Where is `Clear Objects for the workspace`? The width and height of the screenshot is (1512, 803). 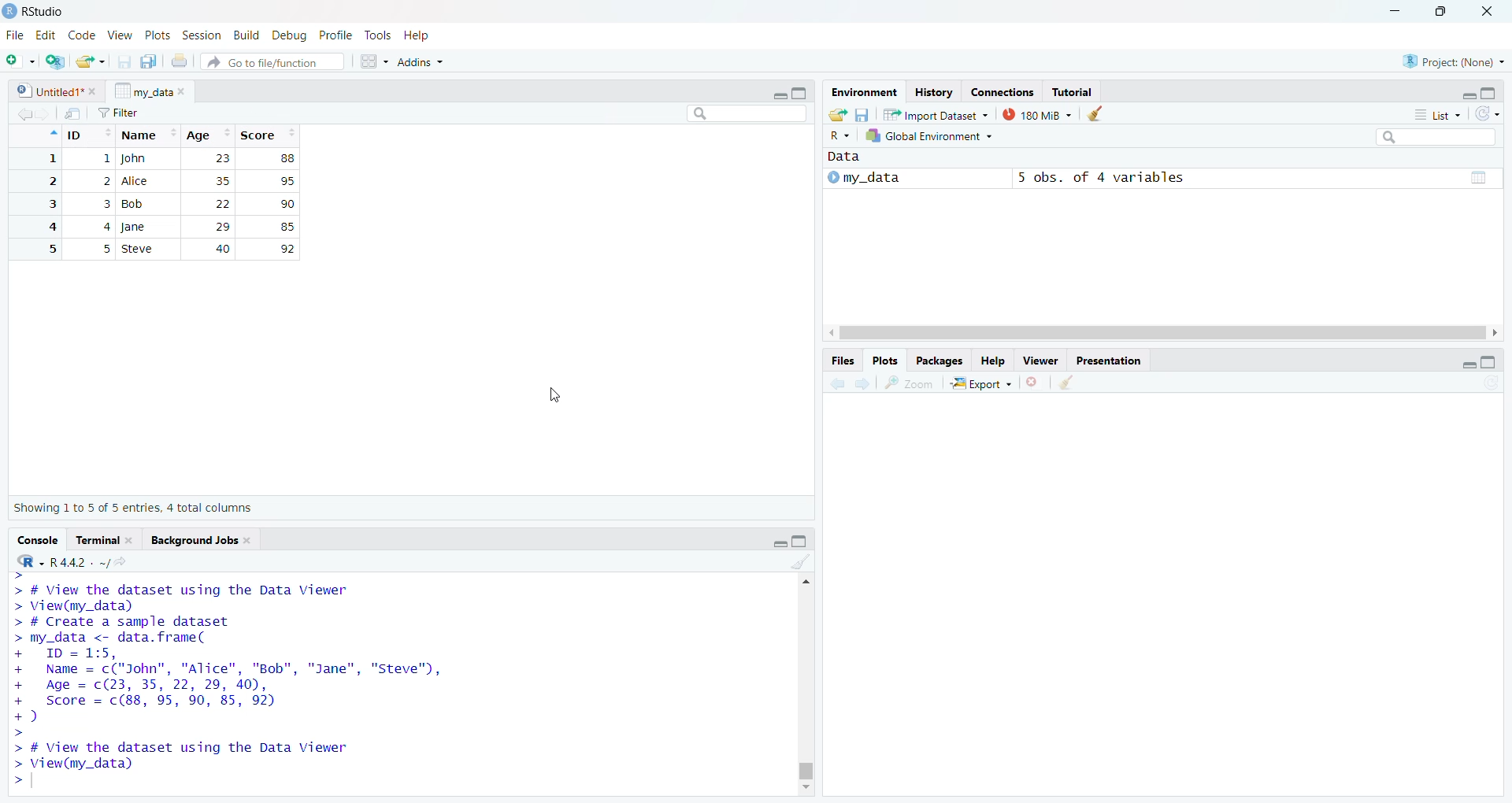
Clear Objects for the workspace is located at coordinates (798, 561).